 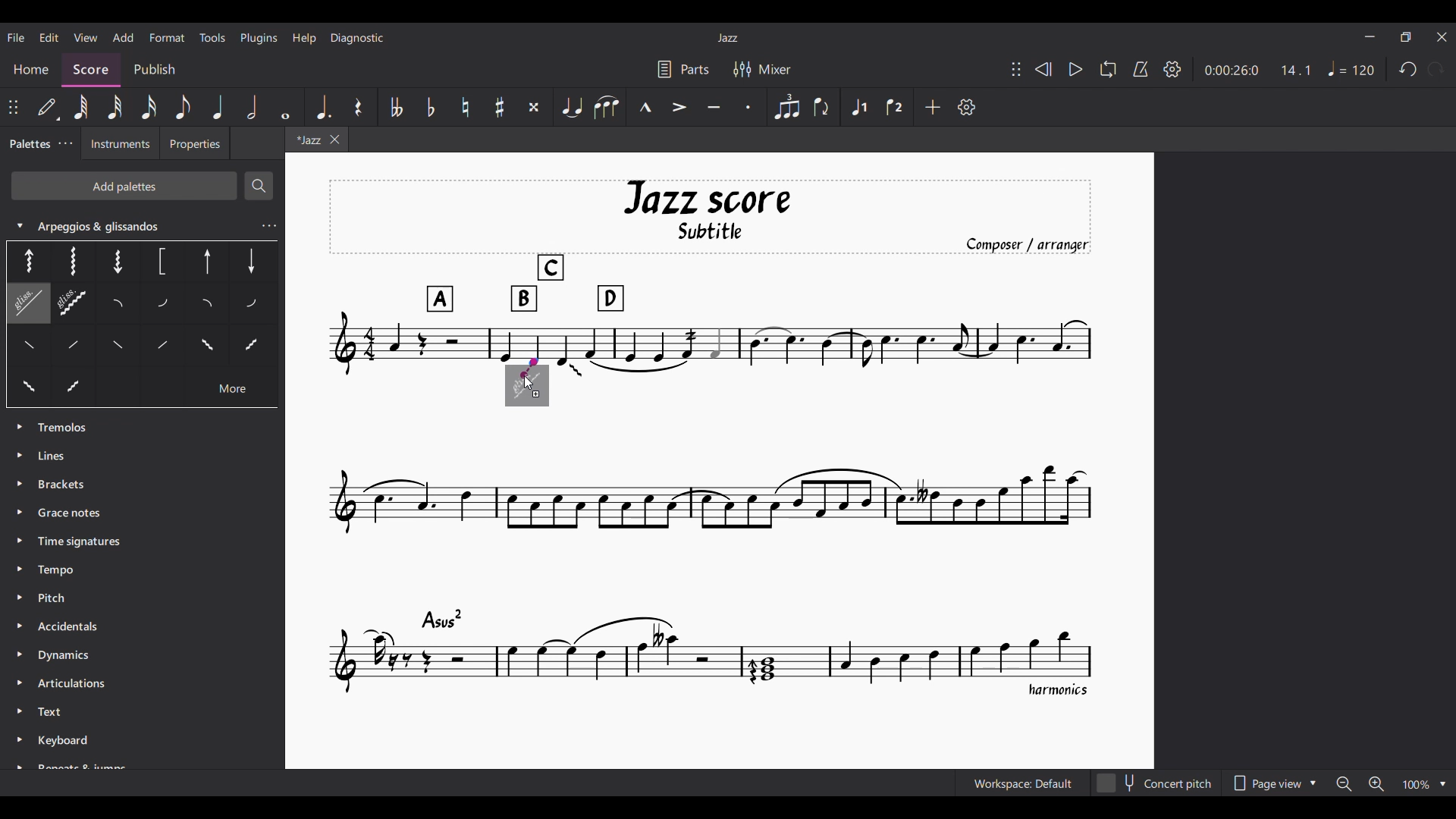 I want to click on Straight , so click(x=56, y=350).